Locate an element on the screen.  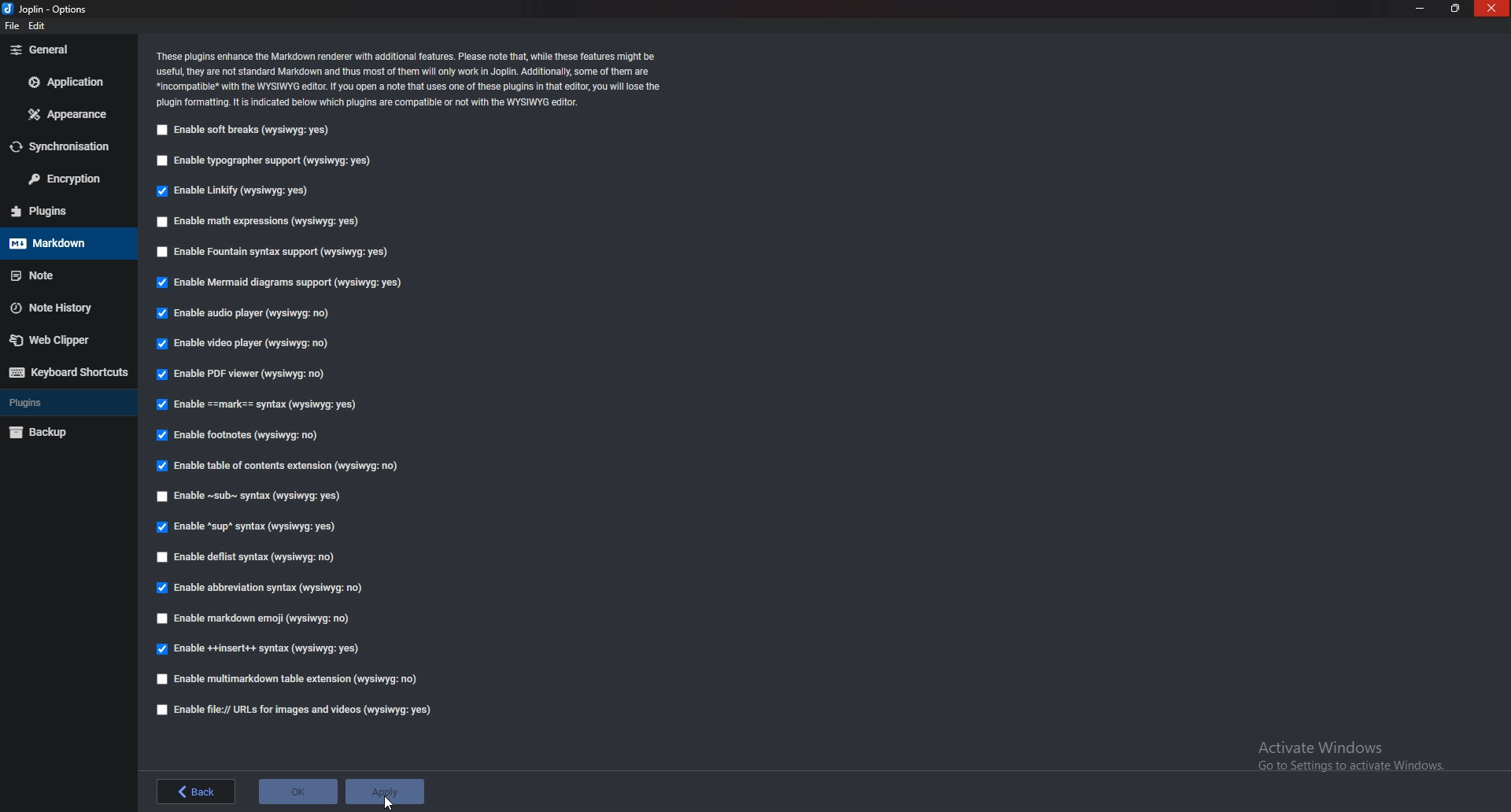
Cursor is located at coordinates (390, 803).